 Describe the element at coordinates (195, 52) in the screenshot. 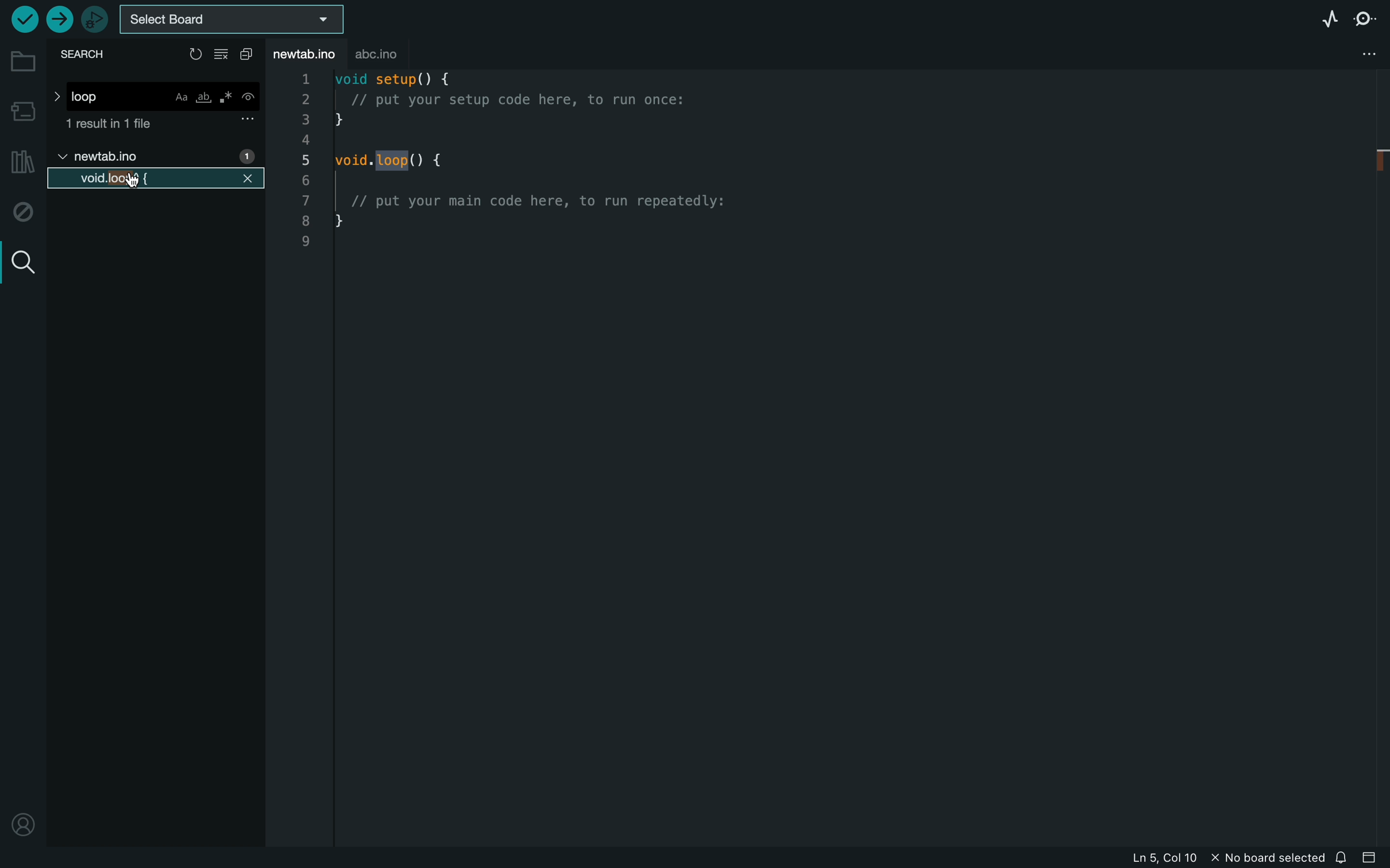

I see `refresh` at that location.